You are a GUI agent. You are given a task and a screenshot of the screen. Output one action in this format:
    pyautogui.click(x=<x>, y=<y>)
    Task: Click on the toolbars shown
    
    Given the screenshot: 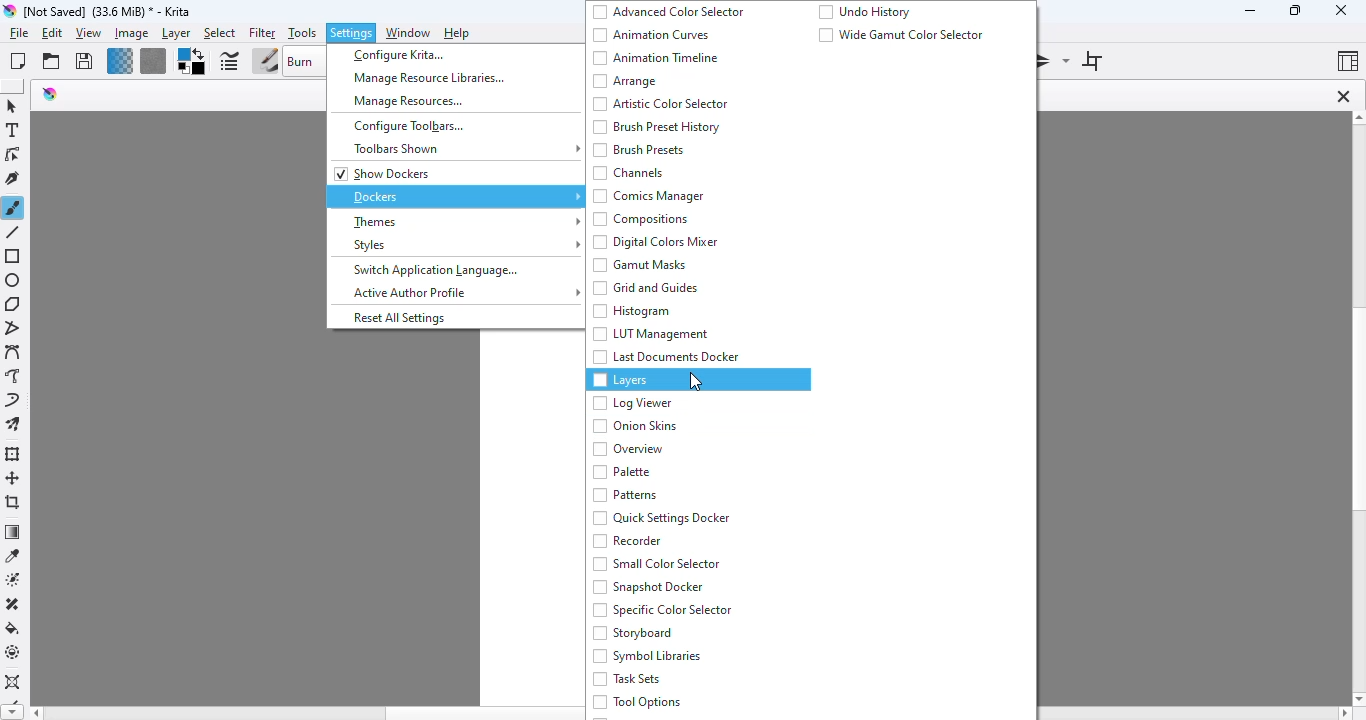 What is the action you would take?
    pyautogui.click(x=465, y=149)
    